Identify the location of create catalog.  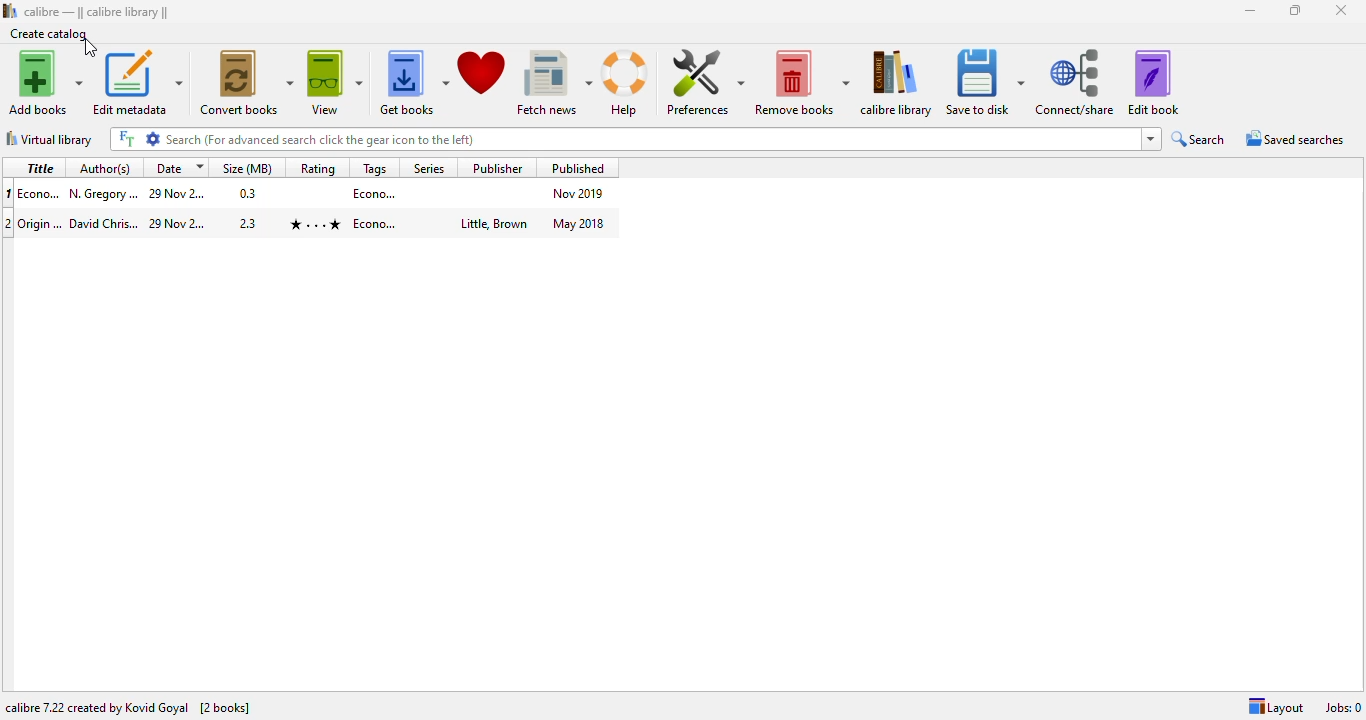
(49, 34).